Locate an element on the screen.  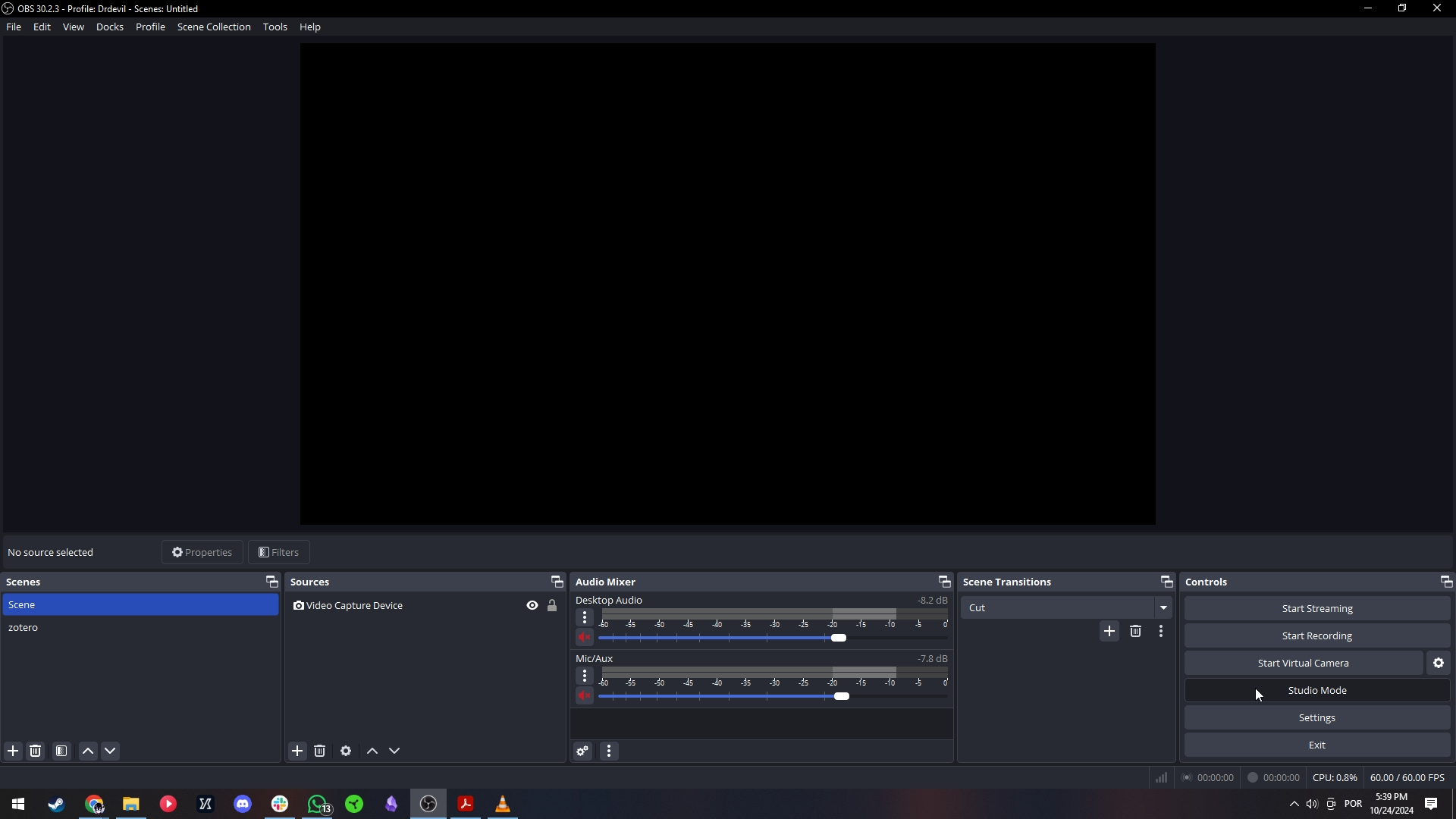
Desktop audio mixer is located at coordinates (763, 620).